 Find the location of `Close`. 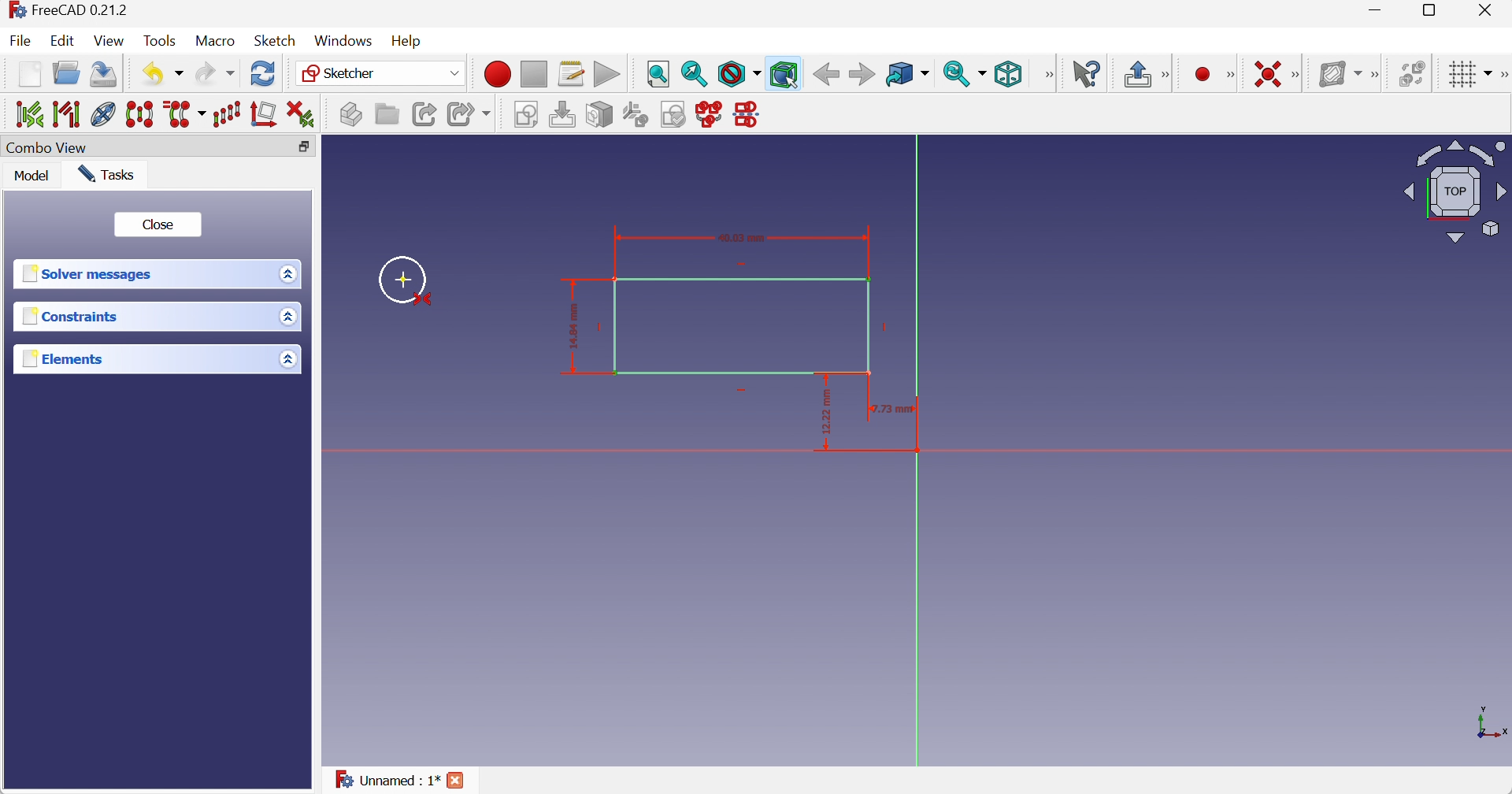

Close is located at coordinates (161, 224).